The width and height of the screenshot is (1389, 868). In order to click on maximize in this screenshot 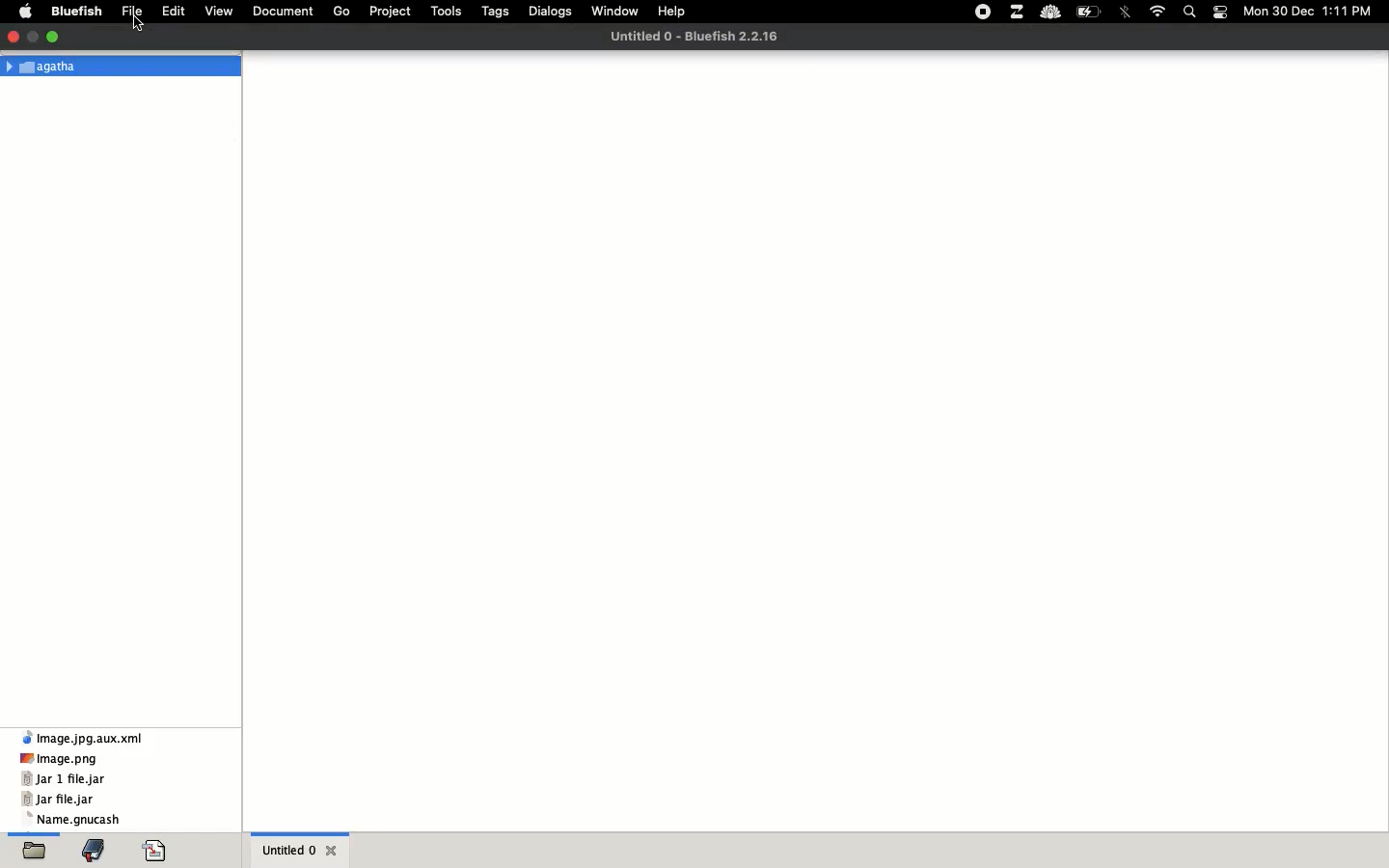, I will do `click(56, 36)`.